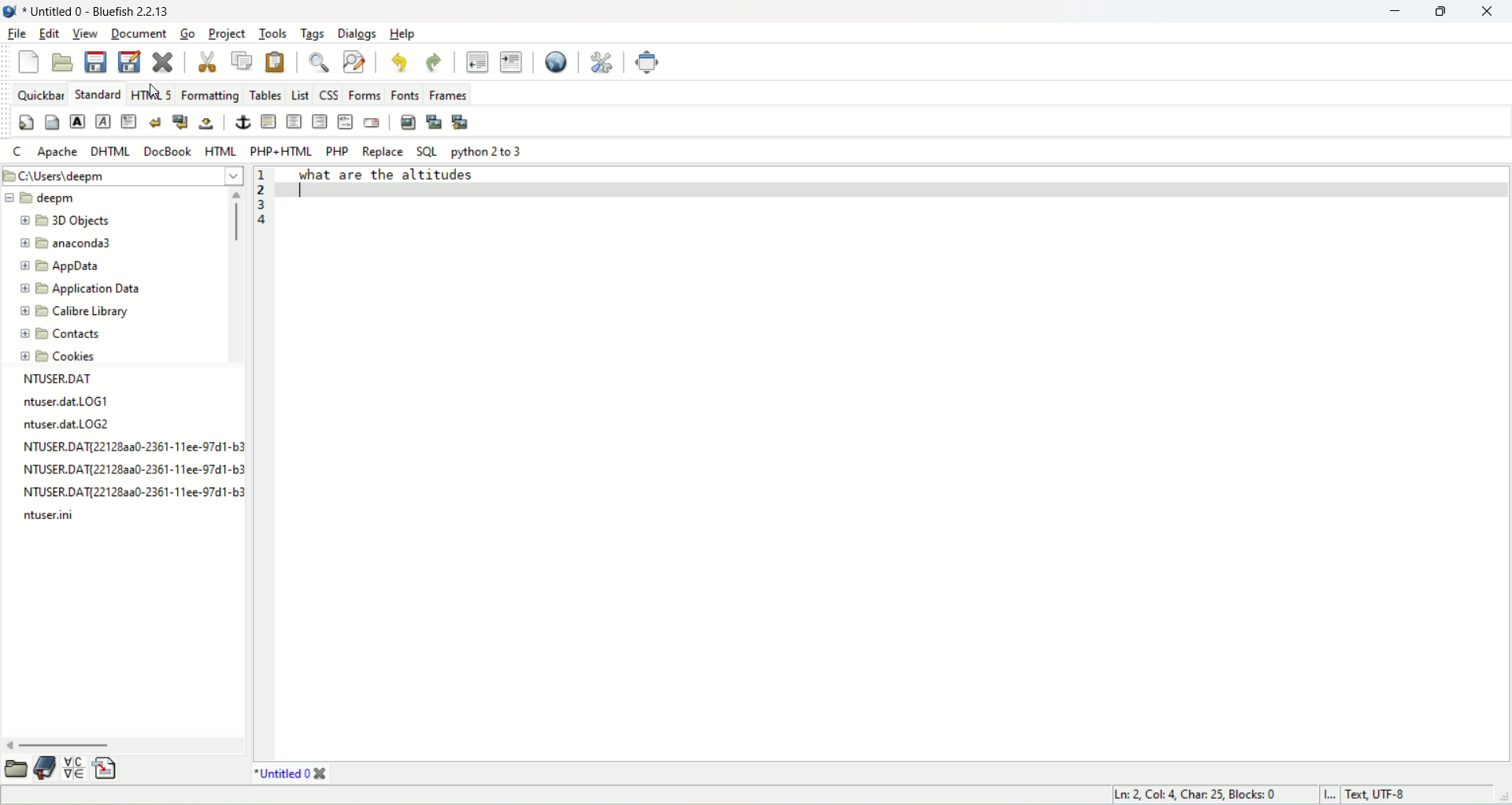  I want to click on horizontal rule, so click(270, 124).